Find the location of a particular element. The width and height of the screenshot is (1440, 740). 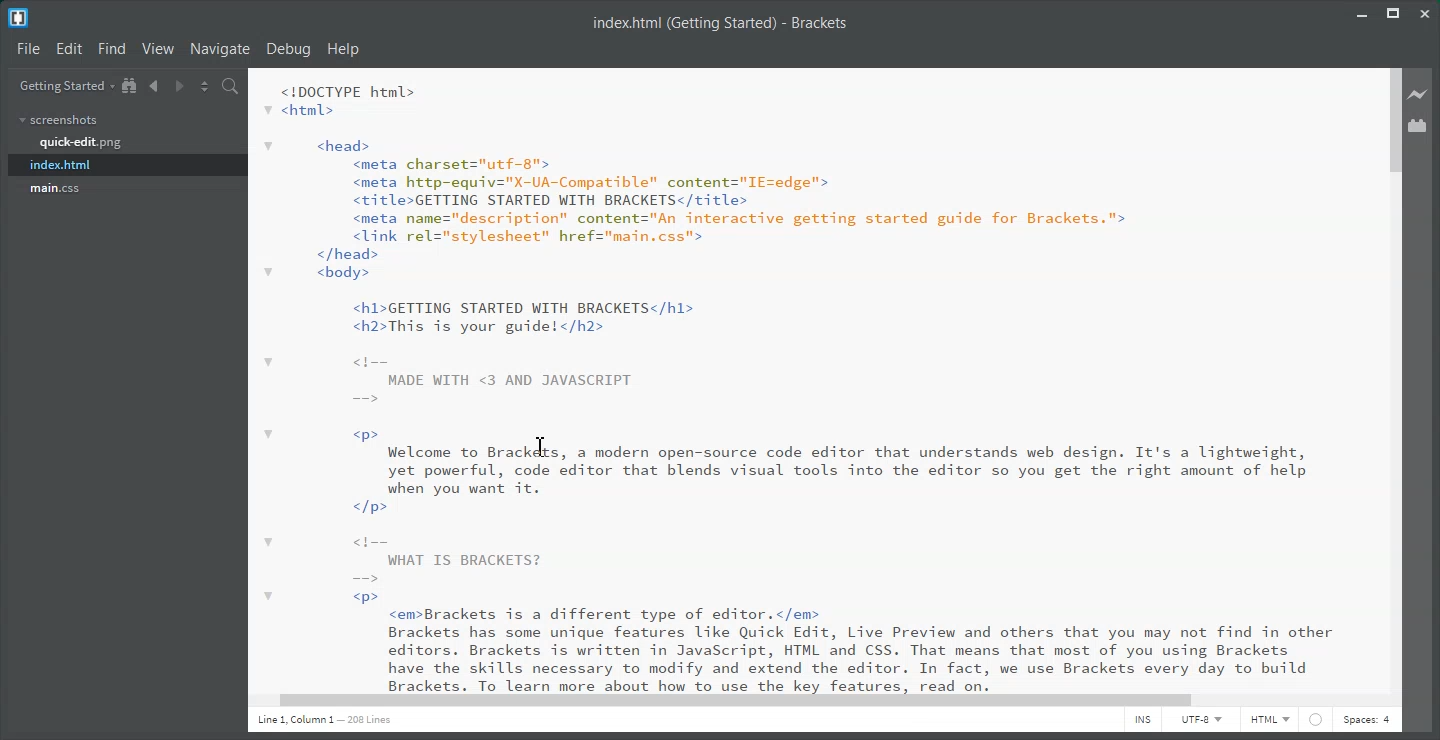

Spaces: 4 is located at coordinates (1367, 719).